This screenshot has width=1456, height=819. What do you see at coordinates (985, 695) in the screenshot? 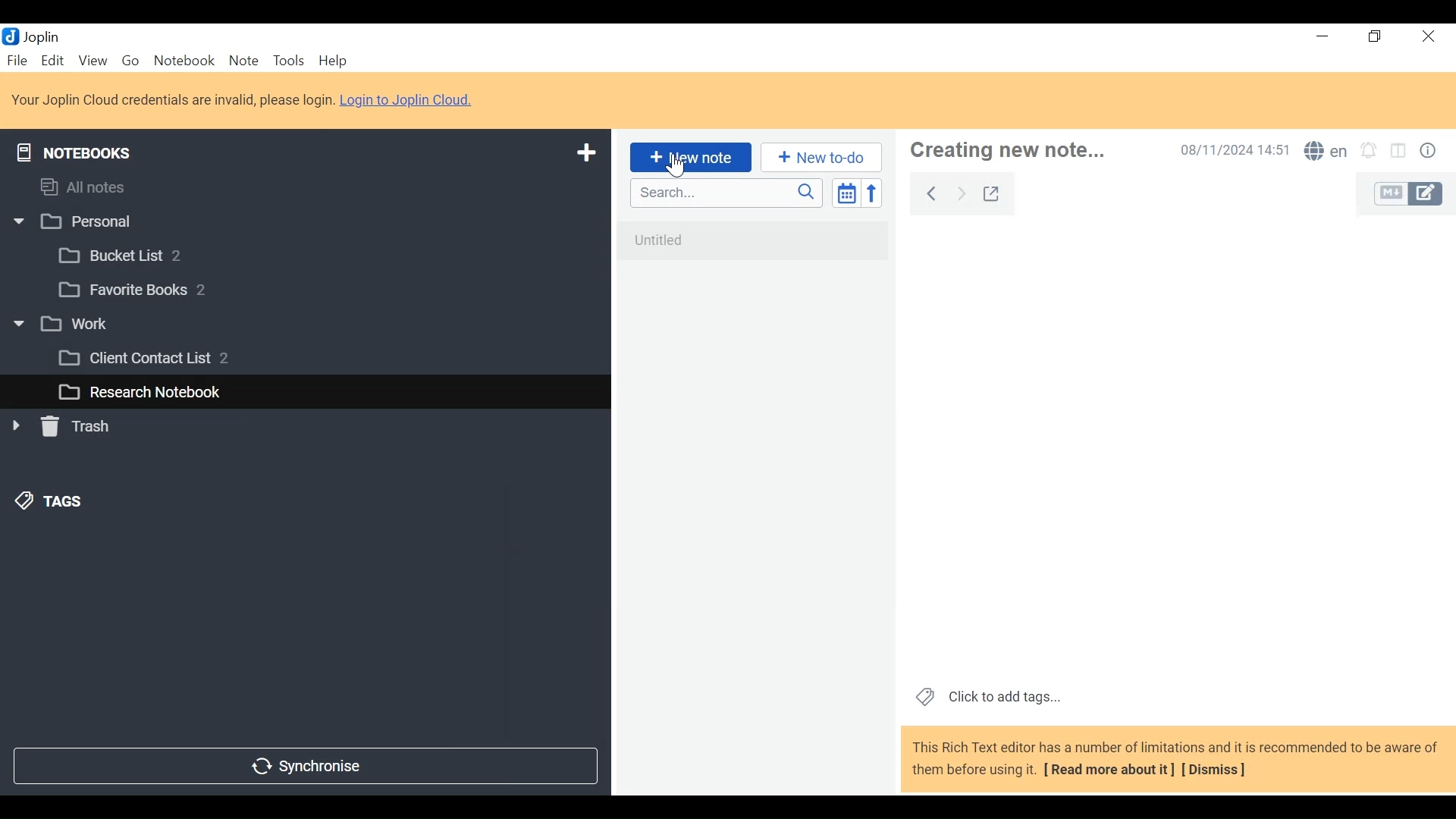
I see `Click to add tags` at bounding box center [985, 695].